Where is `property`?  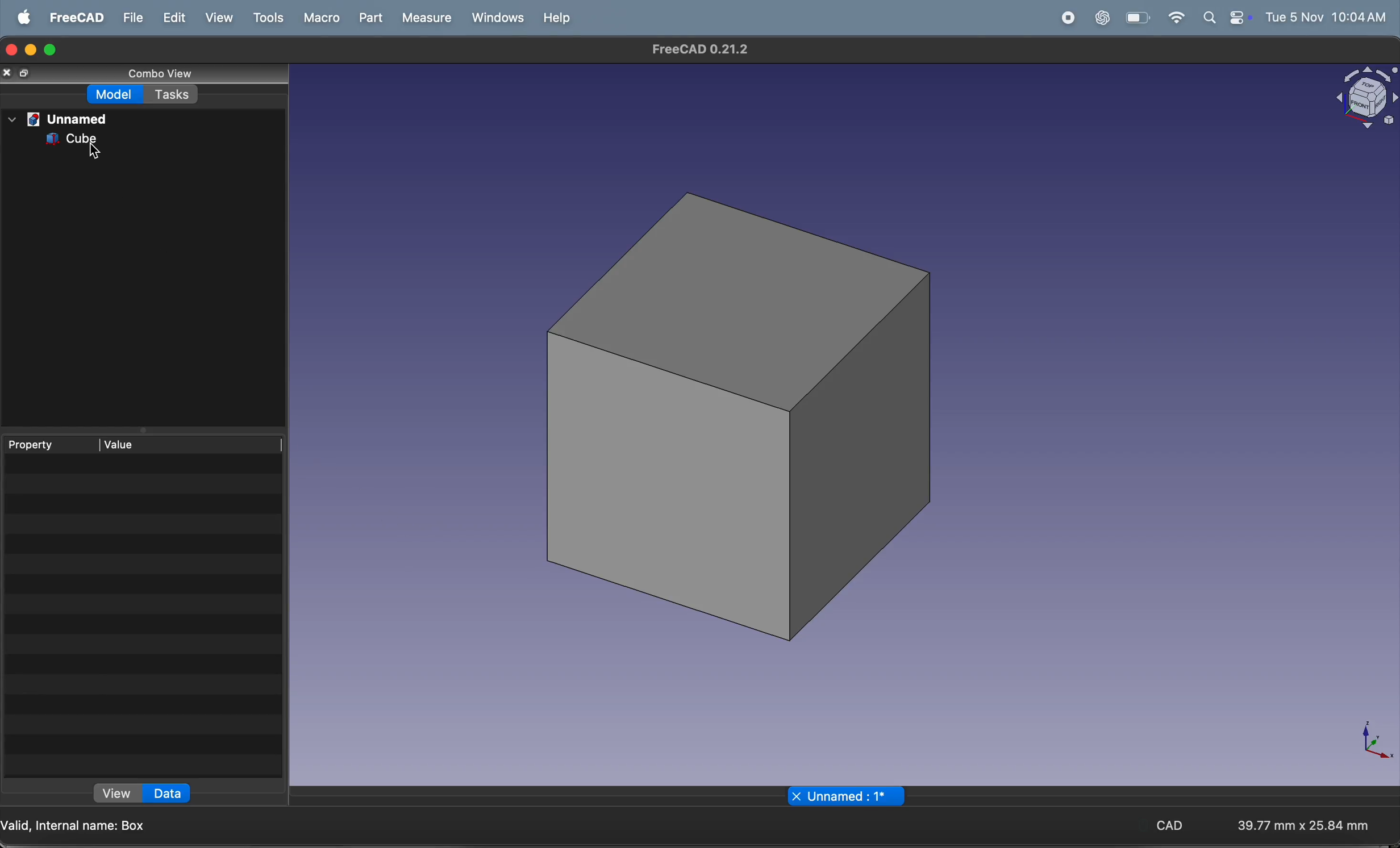 property is located at coordinates (39, 446).